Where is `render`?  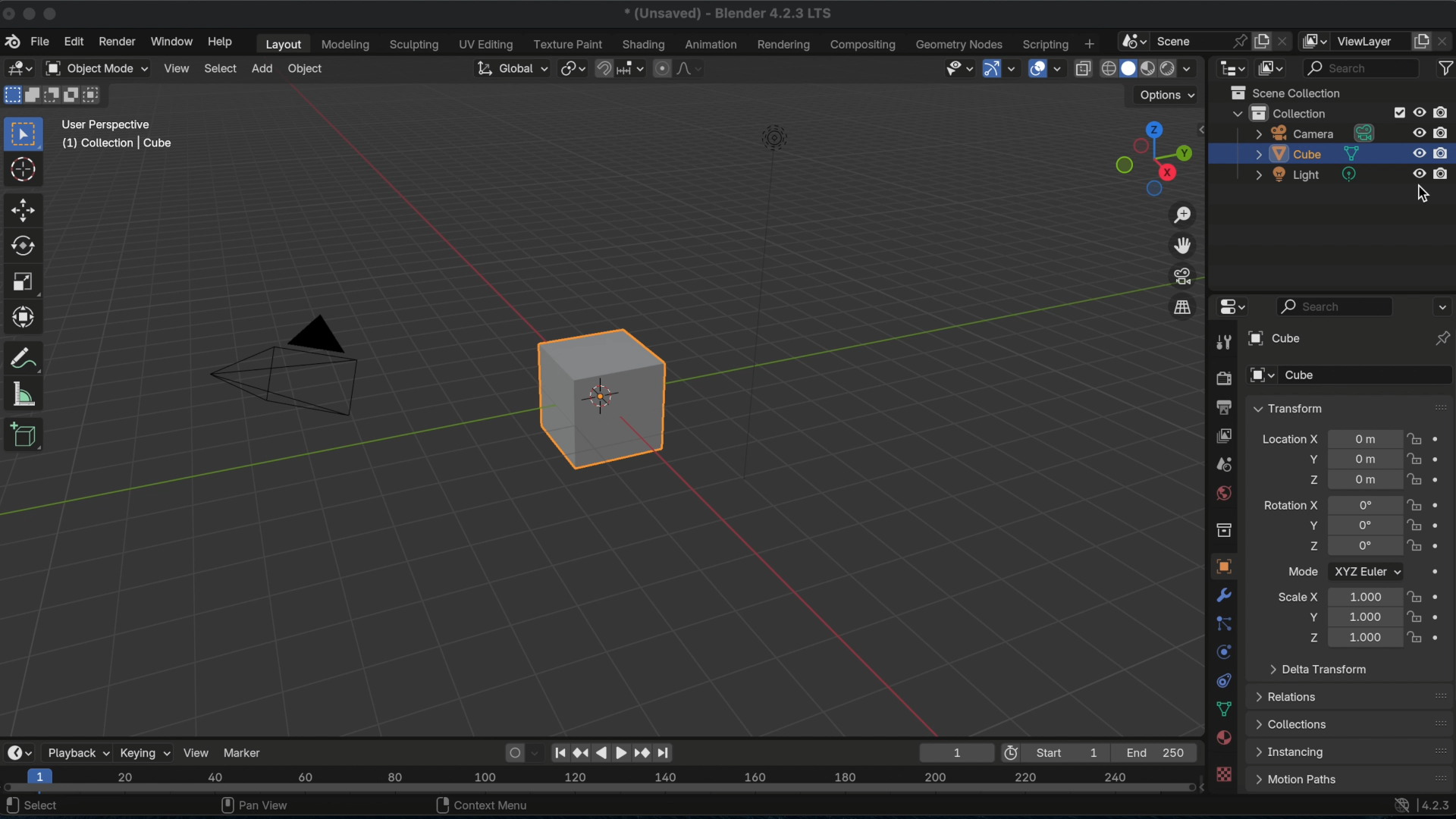 render is located at coordinates (1225, 378).